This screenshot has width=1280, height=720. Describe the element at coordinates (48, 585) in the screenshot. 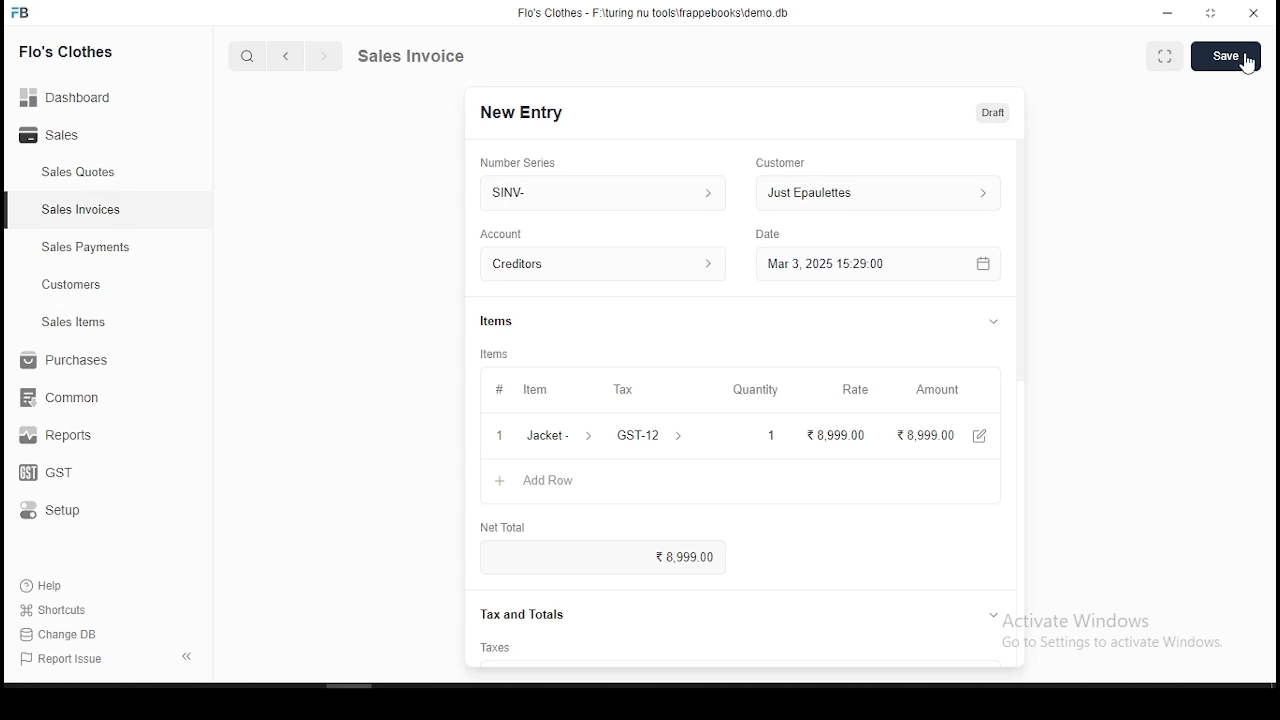

I see `help` at that location.